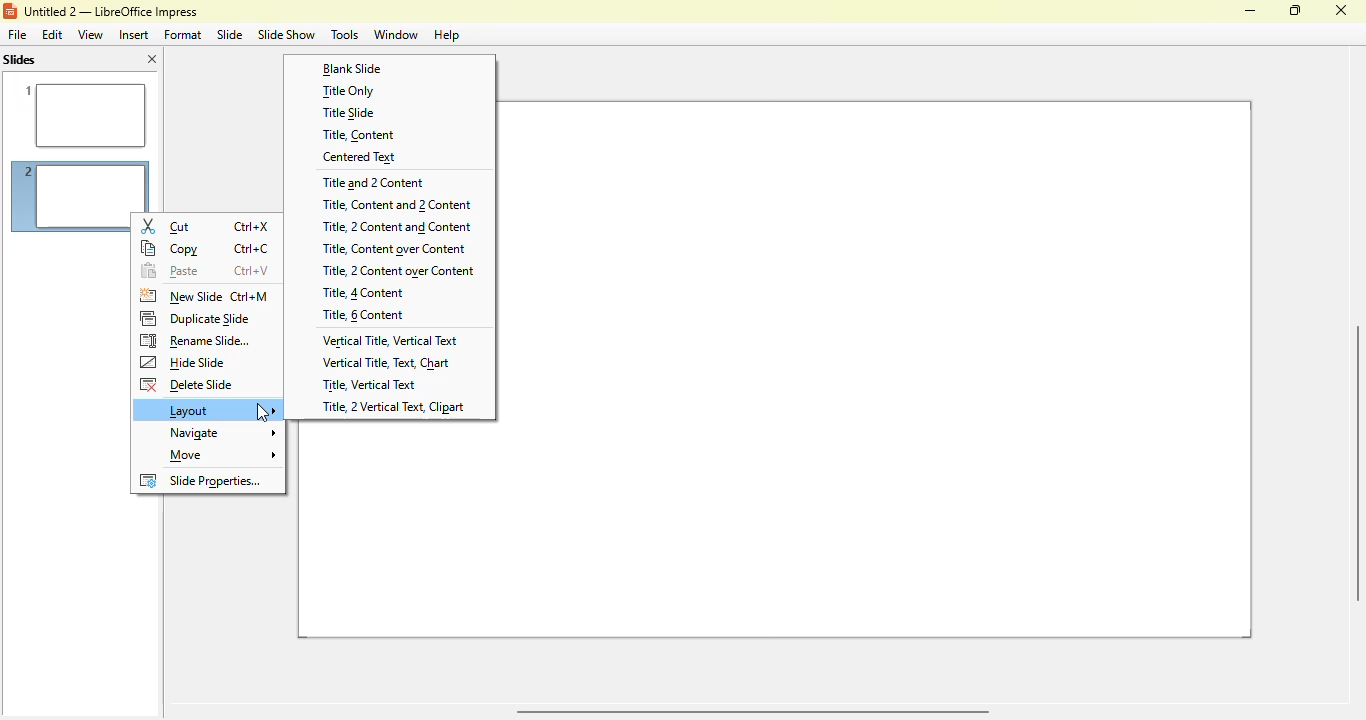 The width and height of the screenshot is (1366, 720). I want to click on slide 1, so click(79, 114).